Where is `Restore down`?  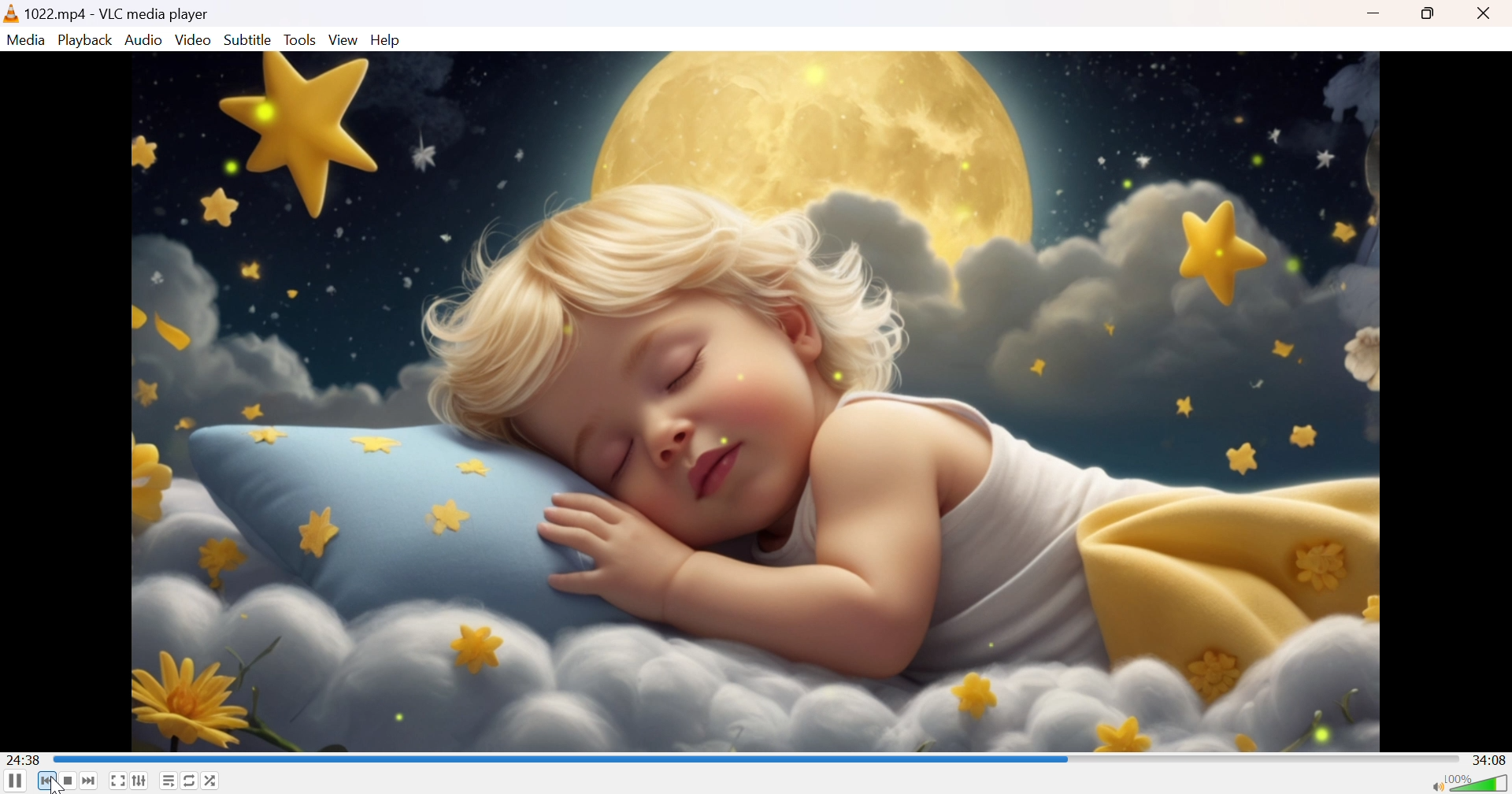
Restore down is located at coordinates (1432, 15).